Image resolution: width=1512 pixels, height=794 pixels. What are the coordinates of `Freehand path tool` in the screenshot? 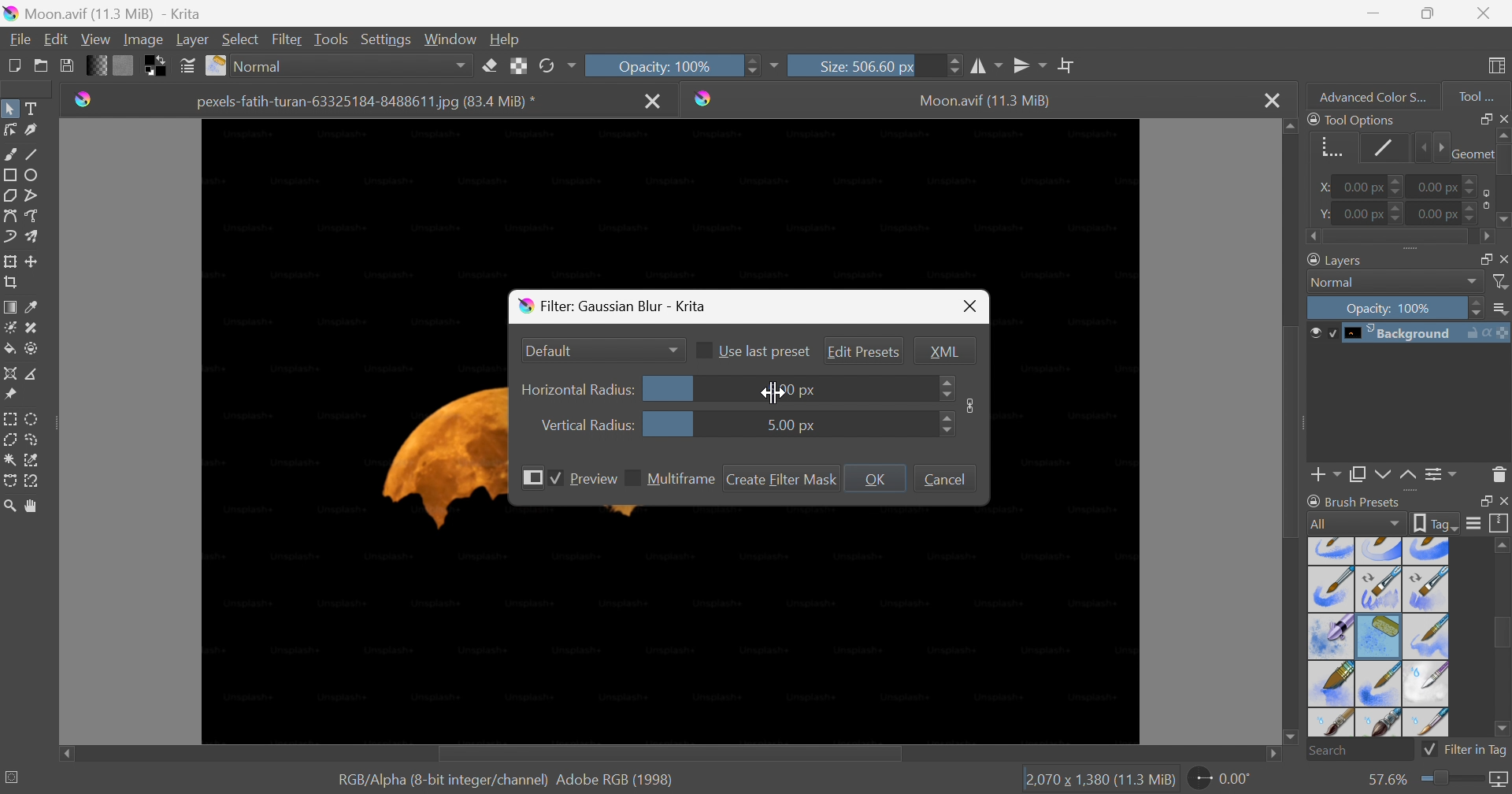 It's located at (32, 216).